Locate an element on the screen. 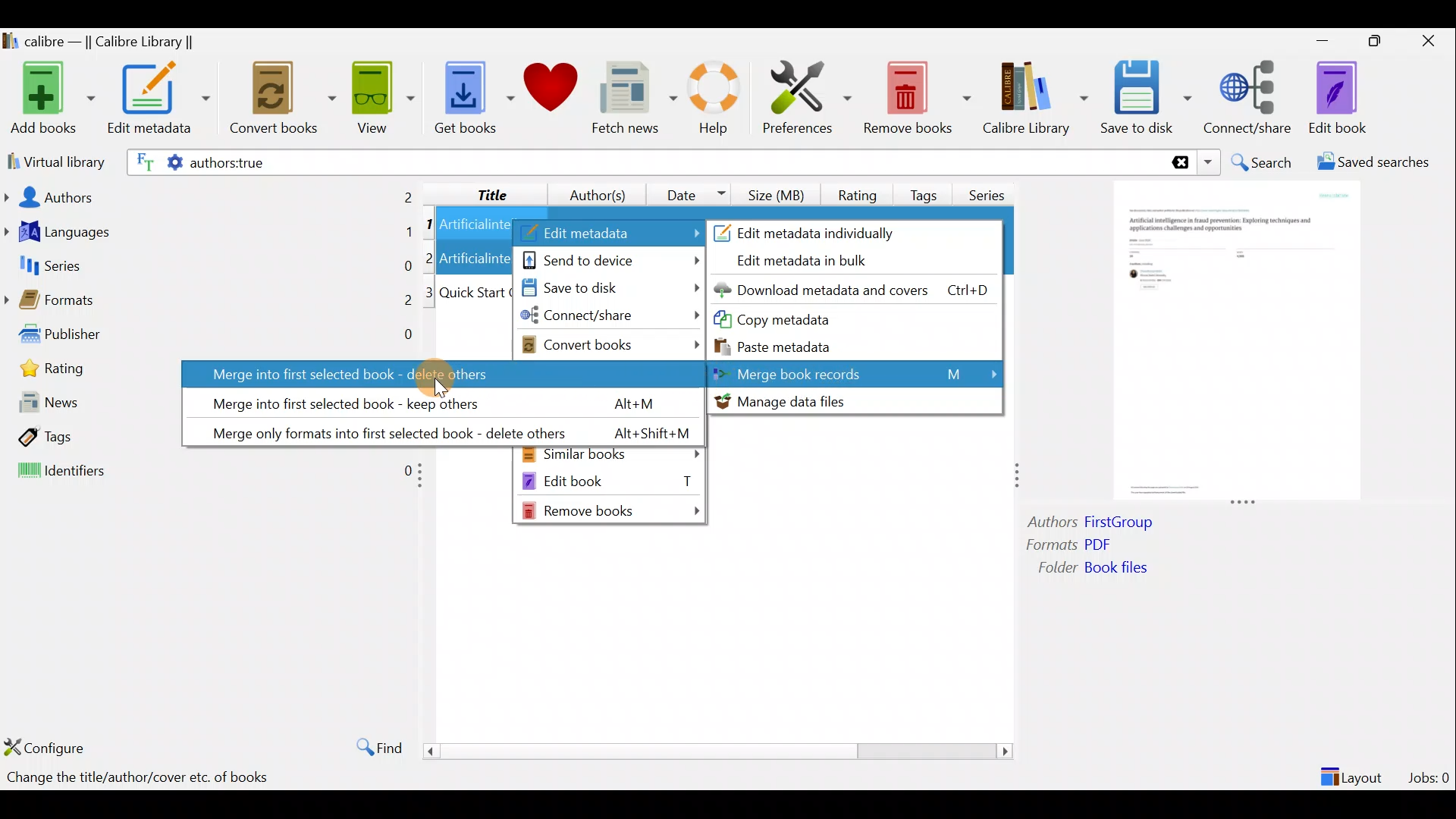 The image size is (1456, 819). Adjust column to the left is located at coordinates (425, 480).